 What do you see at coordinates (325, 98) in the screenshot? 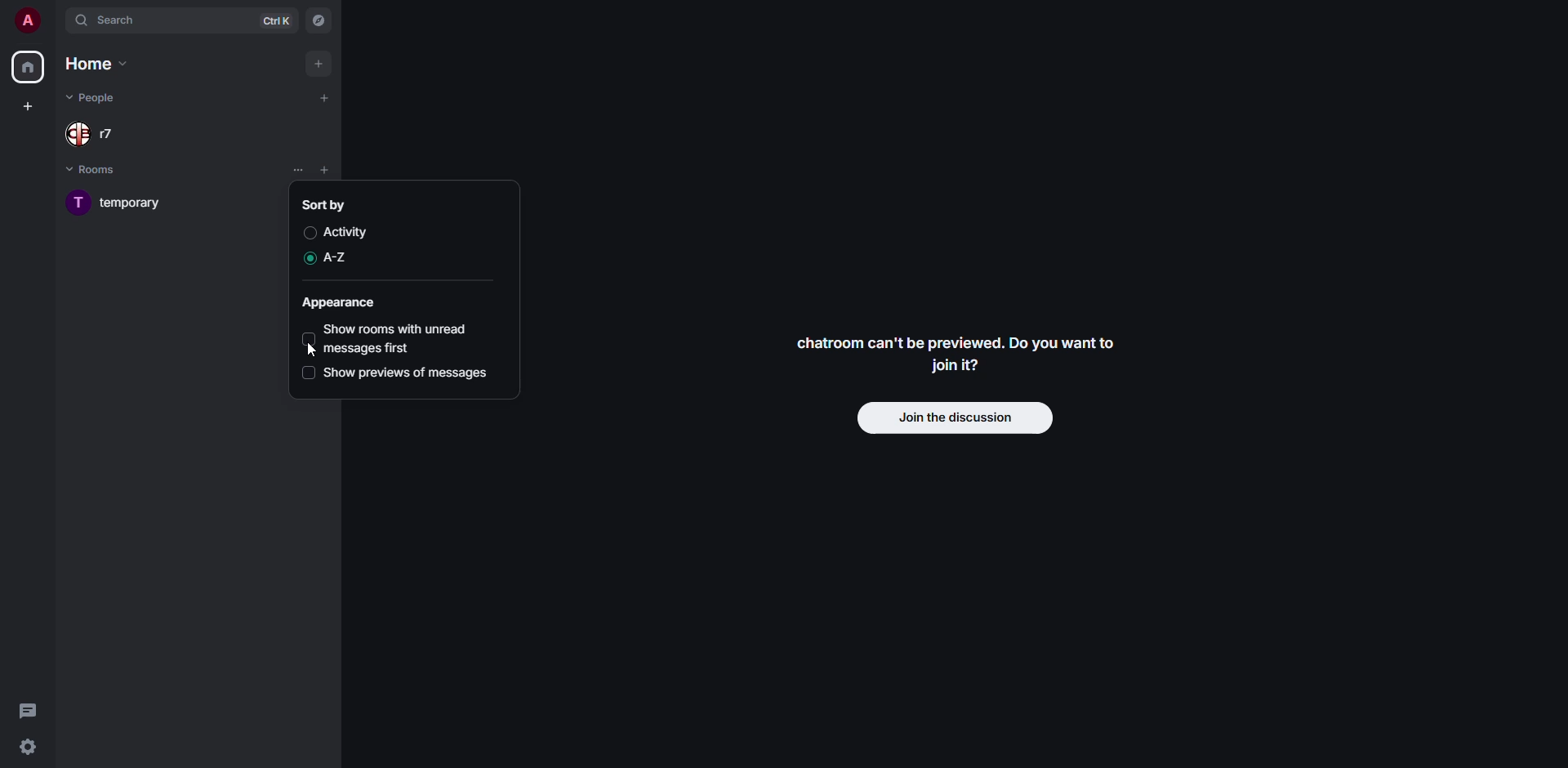
I see `add` at bounding box center [325, 98].